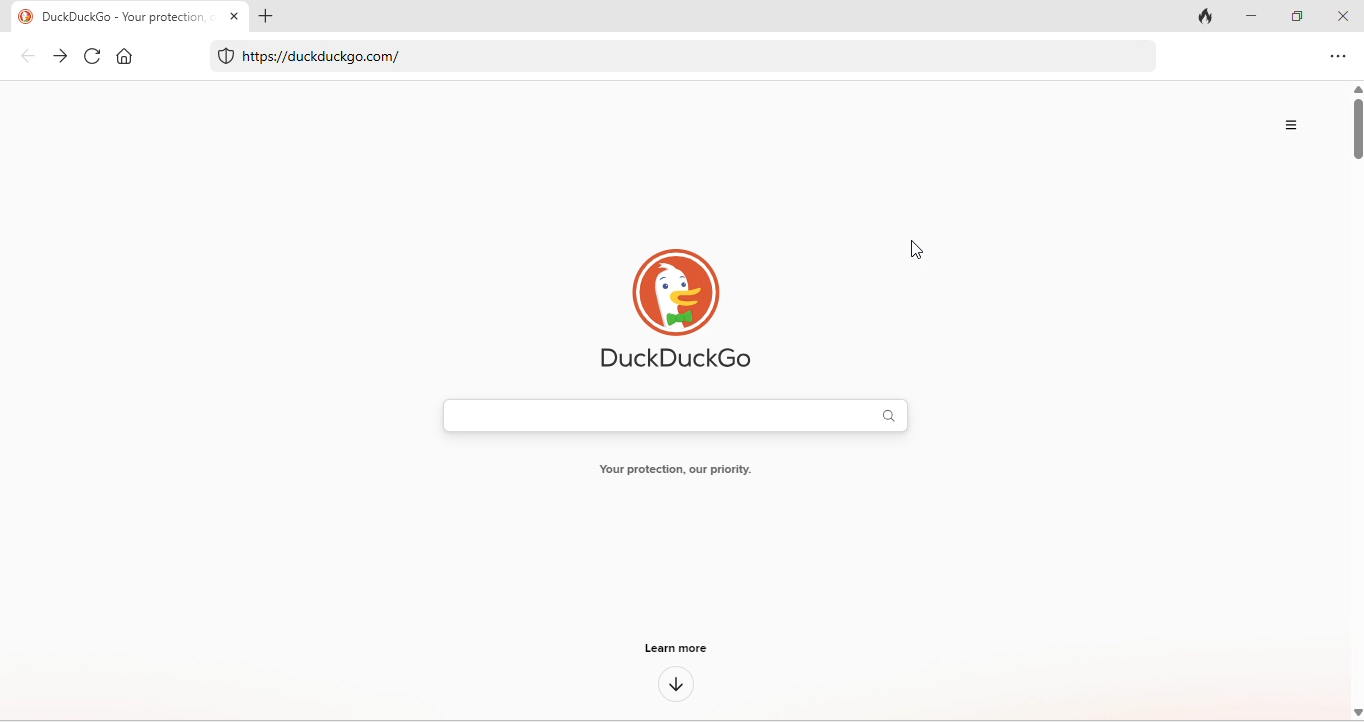  What do you see at coordinates (1207, 17) in the screenshot?
I see `track tab` at bounding box center [1207, 17].